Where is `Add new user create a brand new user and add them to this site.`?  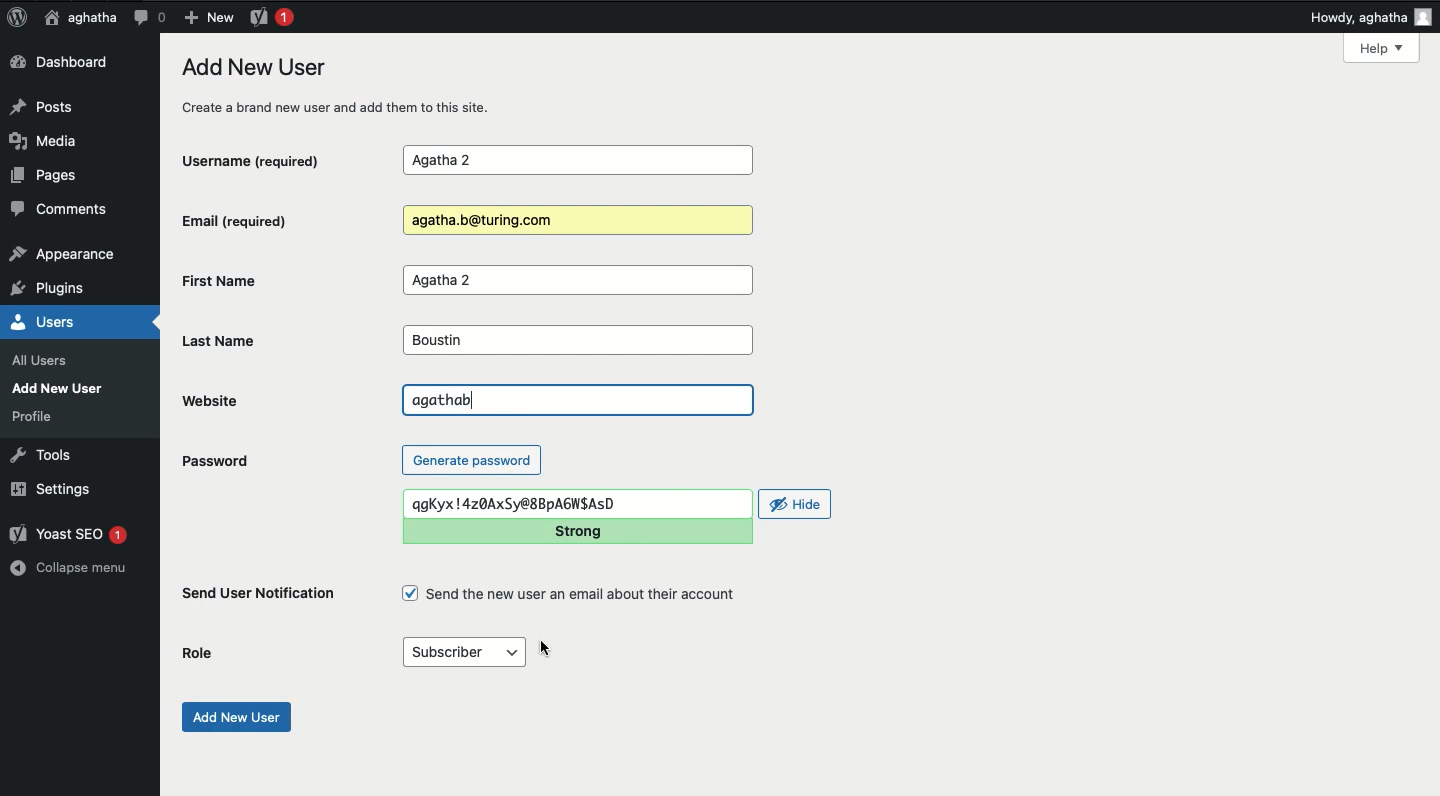
Add new user create a brand new user and add them to this site. is located at coordinates (349, 86).